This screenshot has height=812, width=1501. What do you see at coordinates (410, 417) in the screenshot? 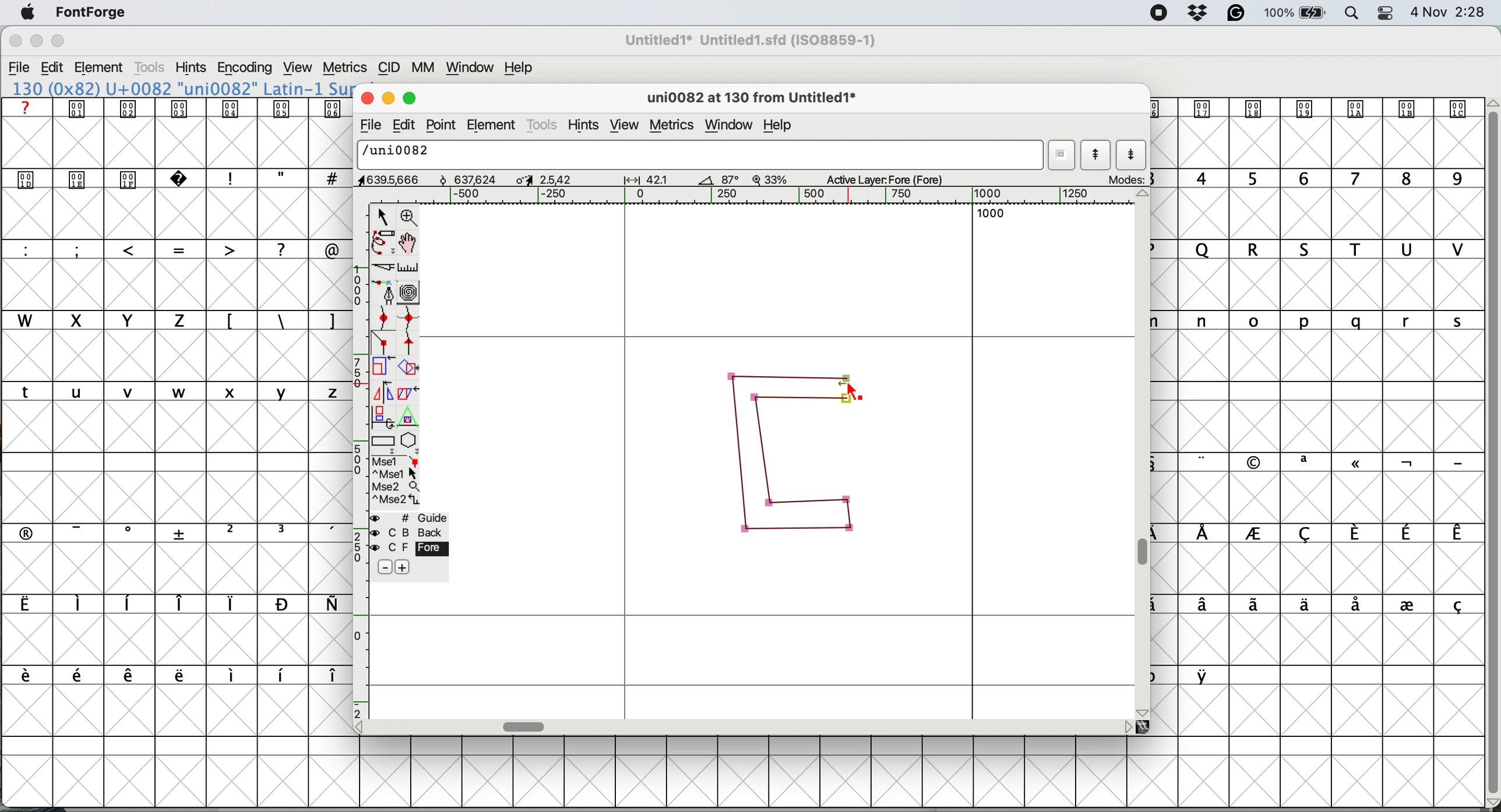
I see `perform a perspective transformation on screen` at bounding box center [410, 417].